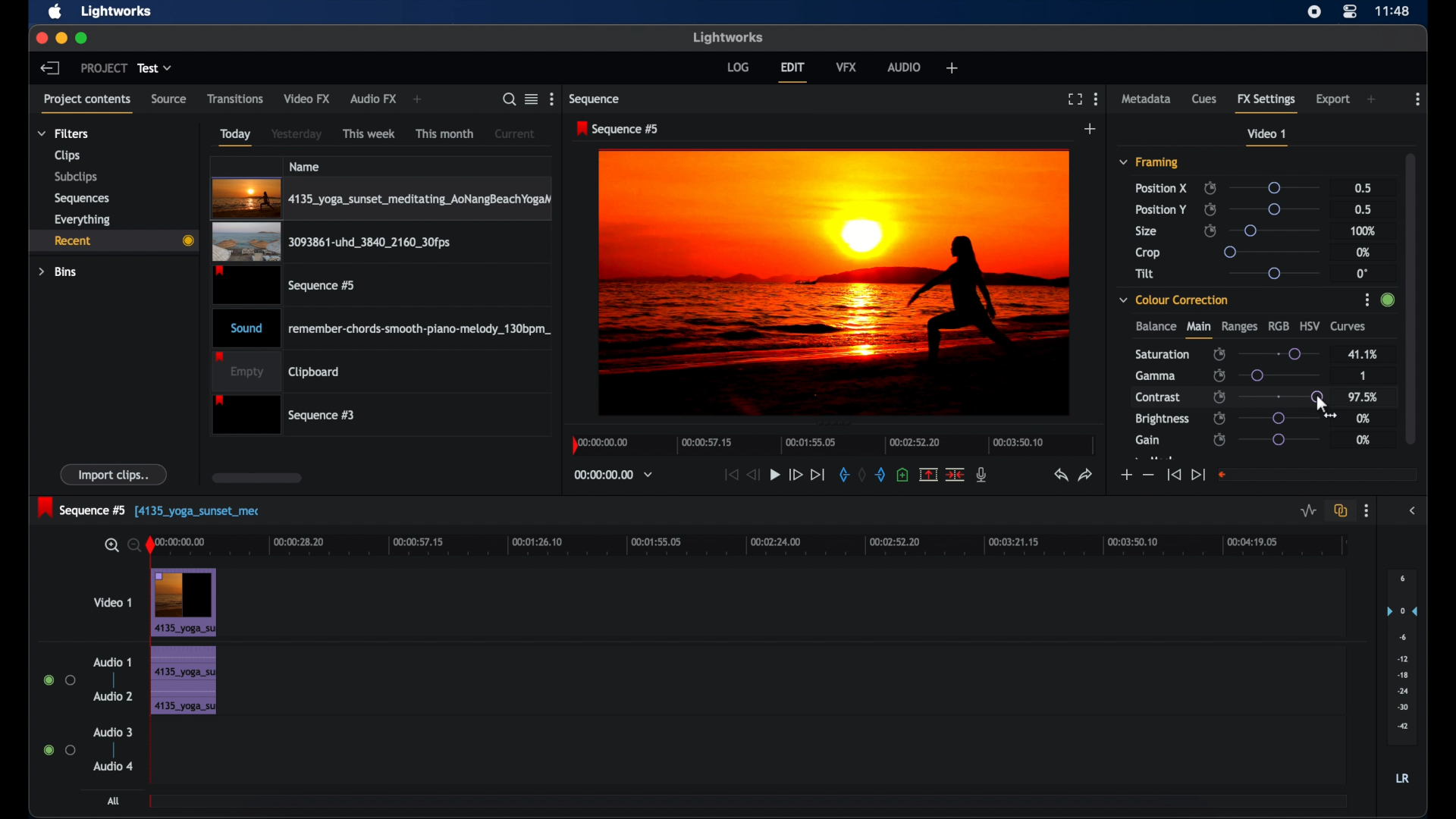 This screenshot has height=819, width=1456. Describe the element at coordinates (738, 66) in the screenshot. I see `log` at that location.